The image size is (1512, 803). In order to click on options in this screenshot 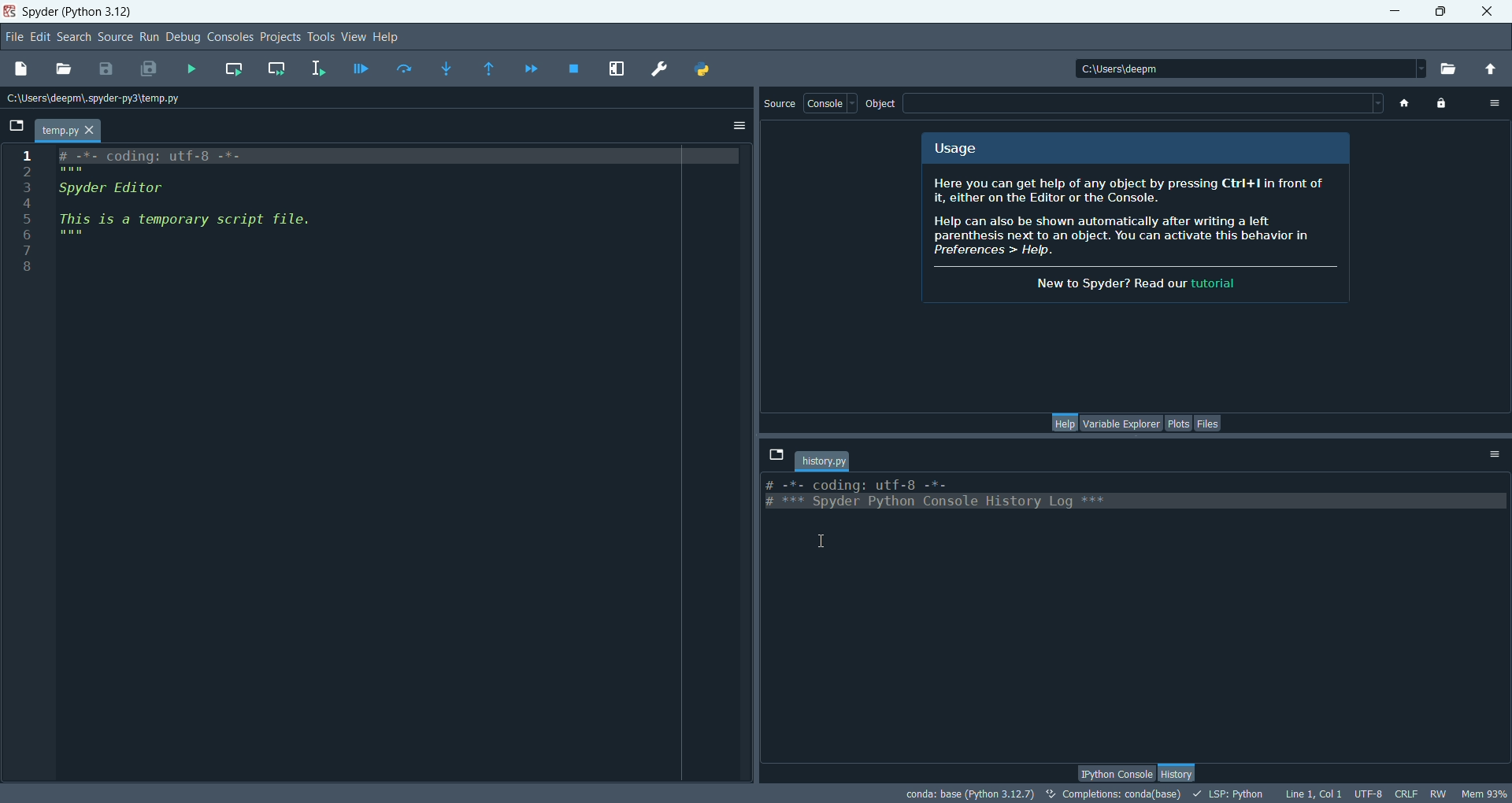, I will do `click(1495, 105)`.